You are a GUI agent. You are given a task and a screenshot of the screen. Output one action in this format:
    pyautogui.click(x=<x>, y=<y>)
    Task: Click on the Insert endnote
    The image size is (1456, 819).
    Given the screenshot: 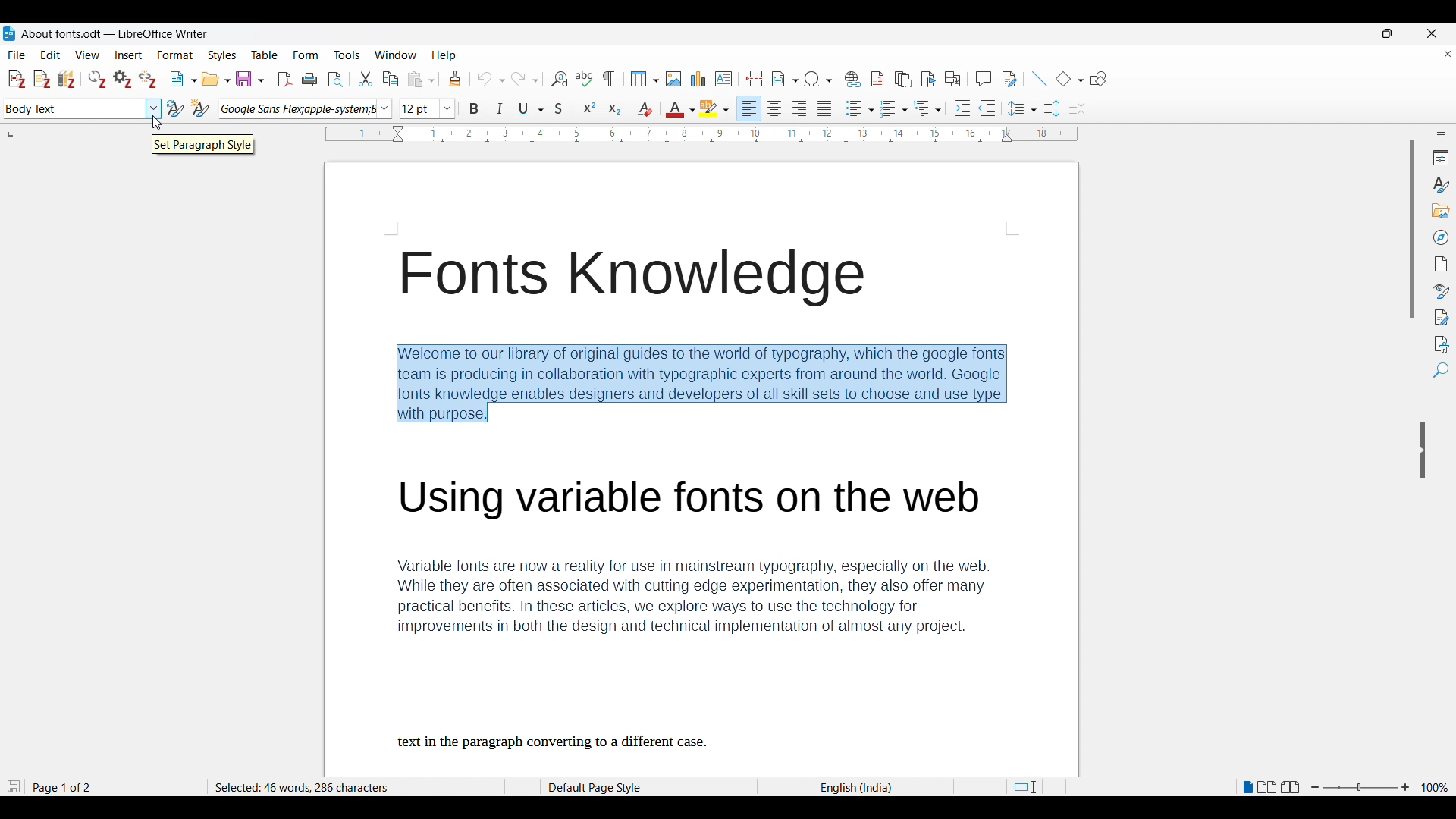 What is the action you would take?
    pyautogui.click(x=903, y=79)
    